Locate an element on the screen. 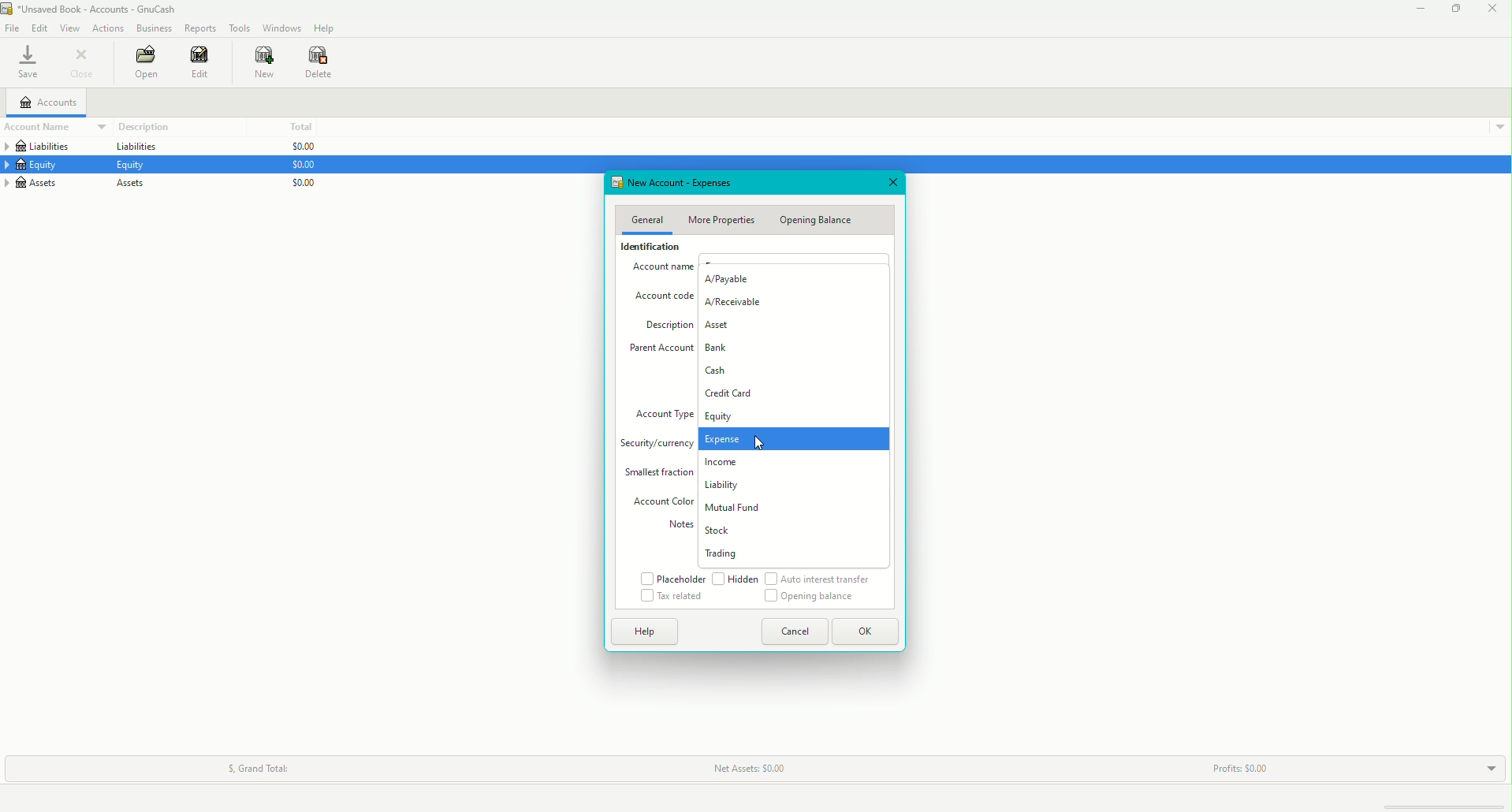  Identification is located at coordinates (650, 245).